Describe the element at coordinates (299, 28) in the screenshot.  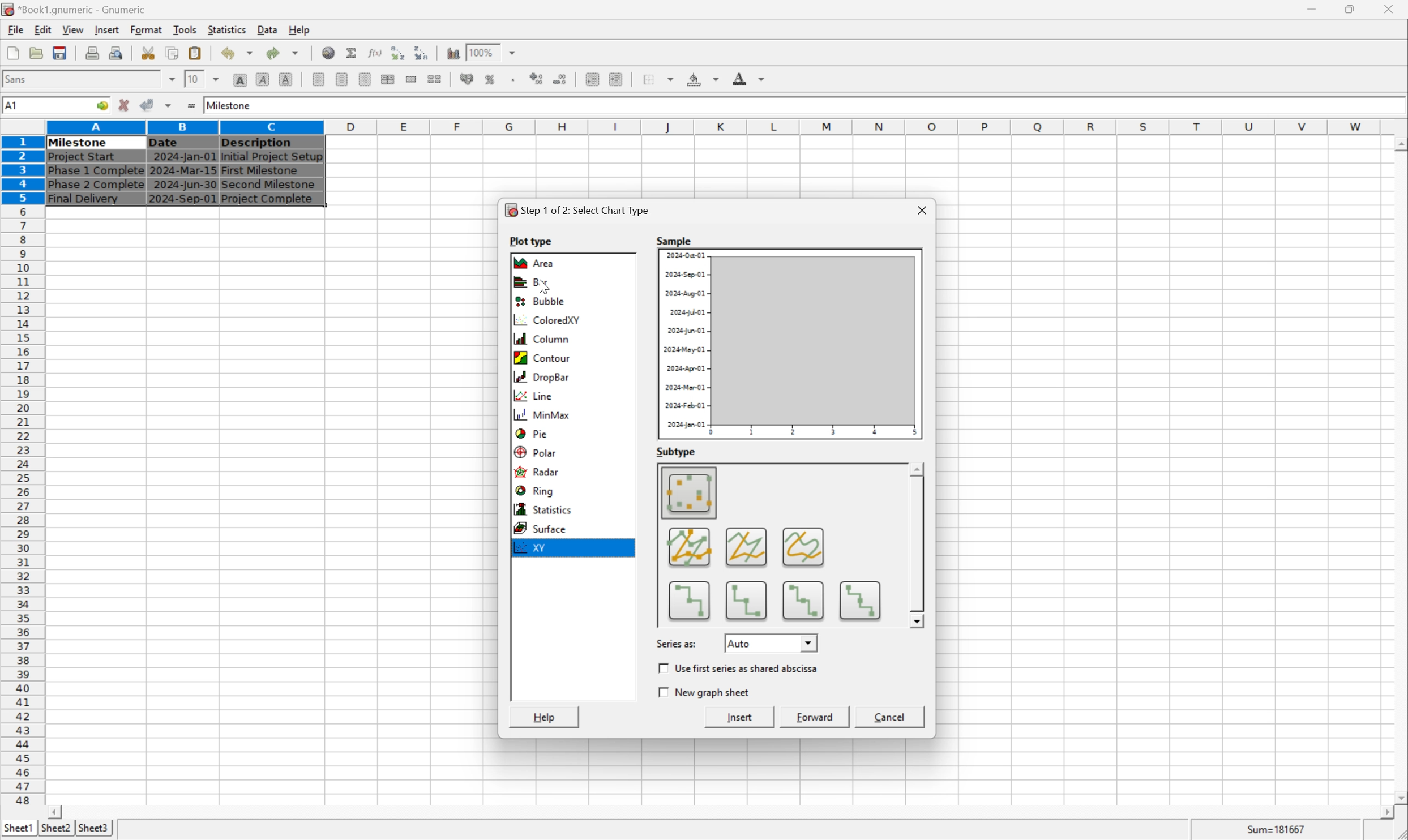
I see `help` at that location.